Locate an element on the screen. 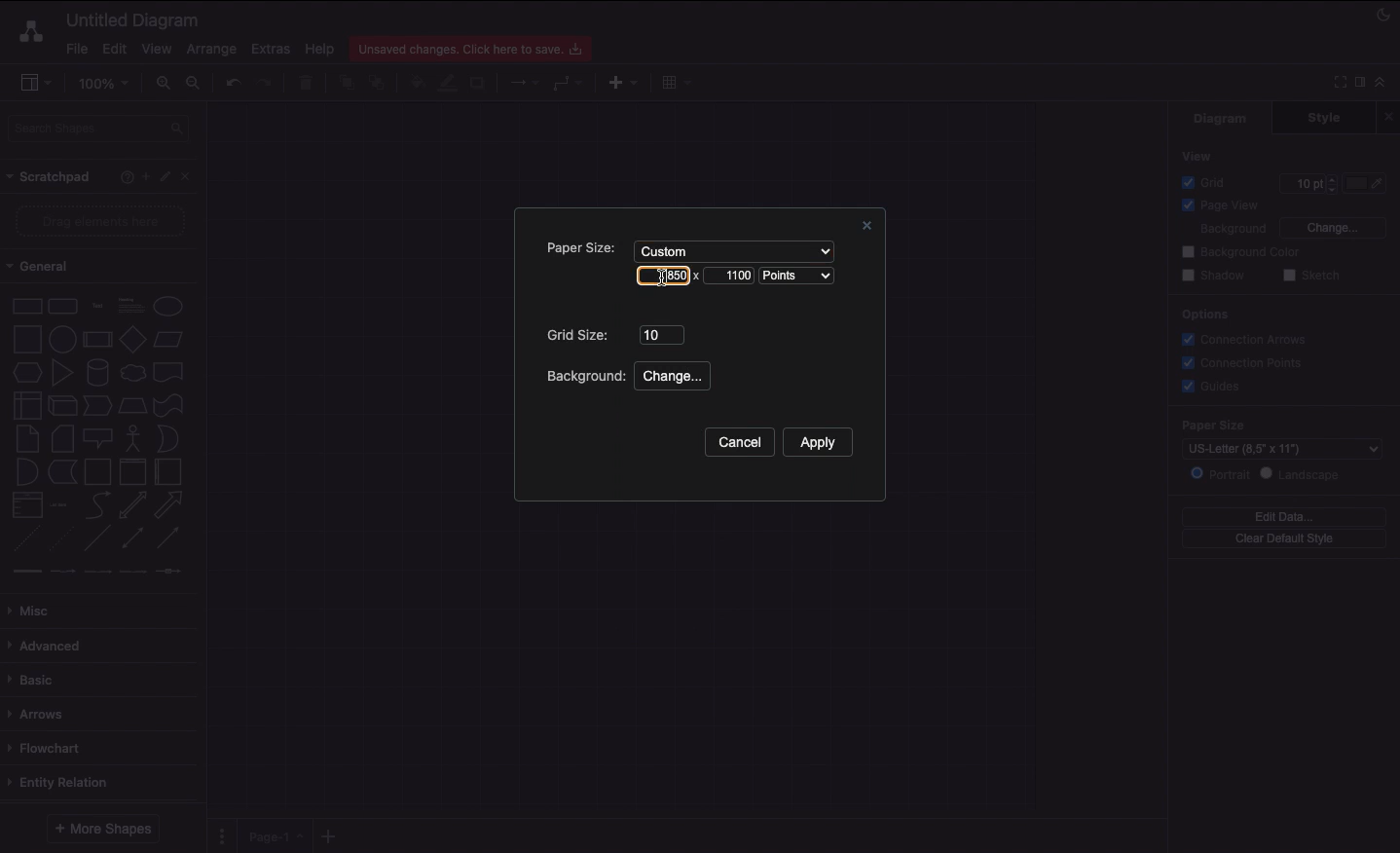  Arrow is located at coordinates (169, 505).